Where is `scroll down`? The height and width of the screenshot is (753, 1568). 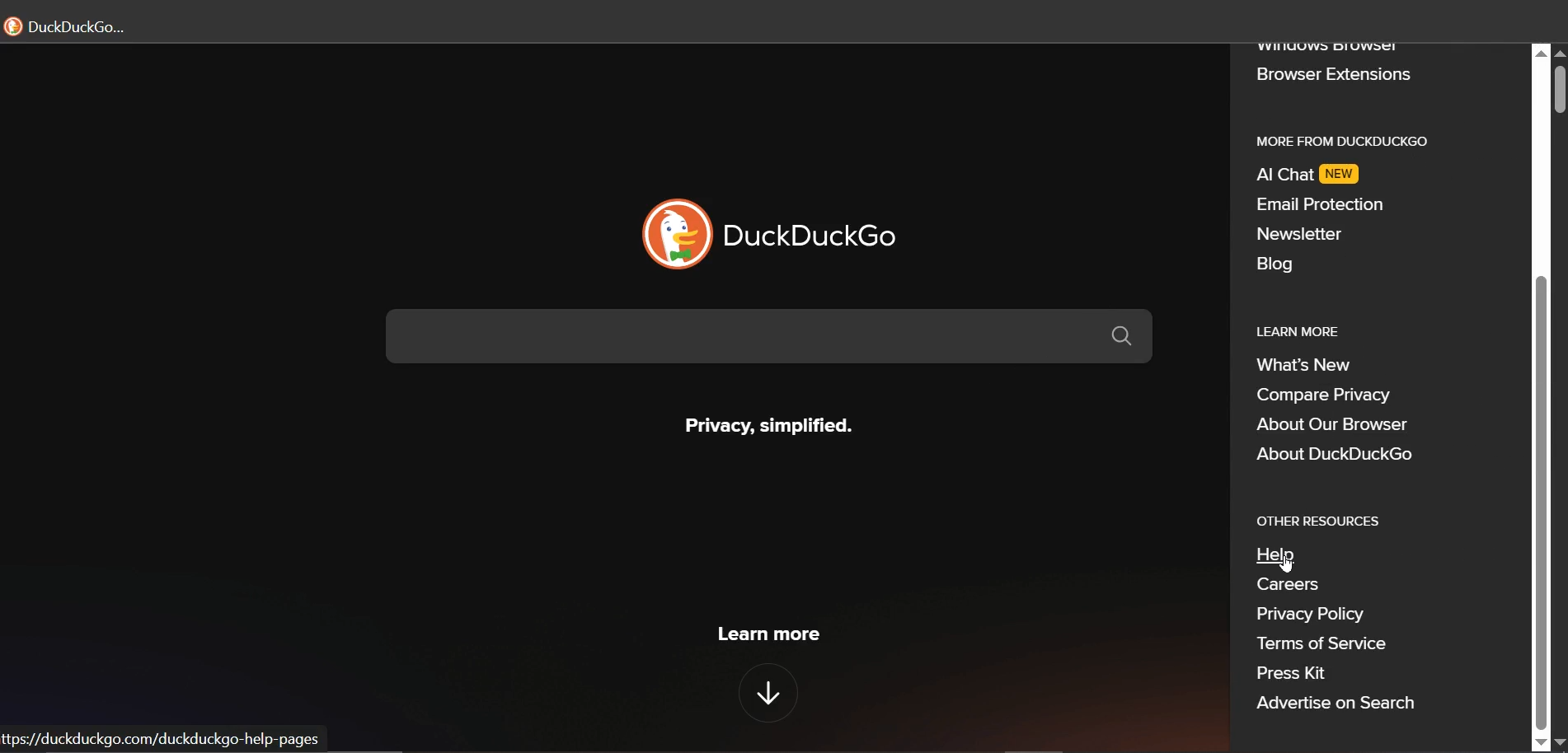
scroll down is located at coordinates (1558, 743).